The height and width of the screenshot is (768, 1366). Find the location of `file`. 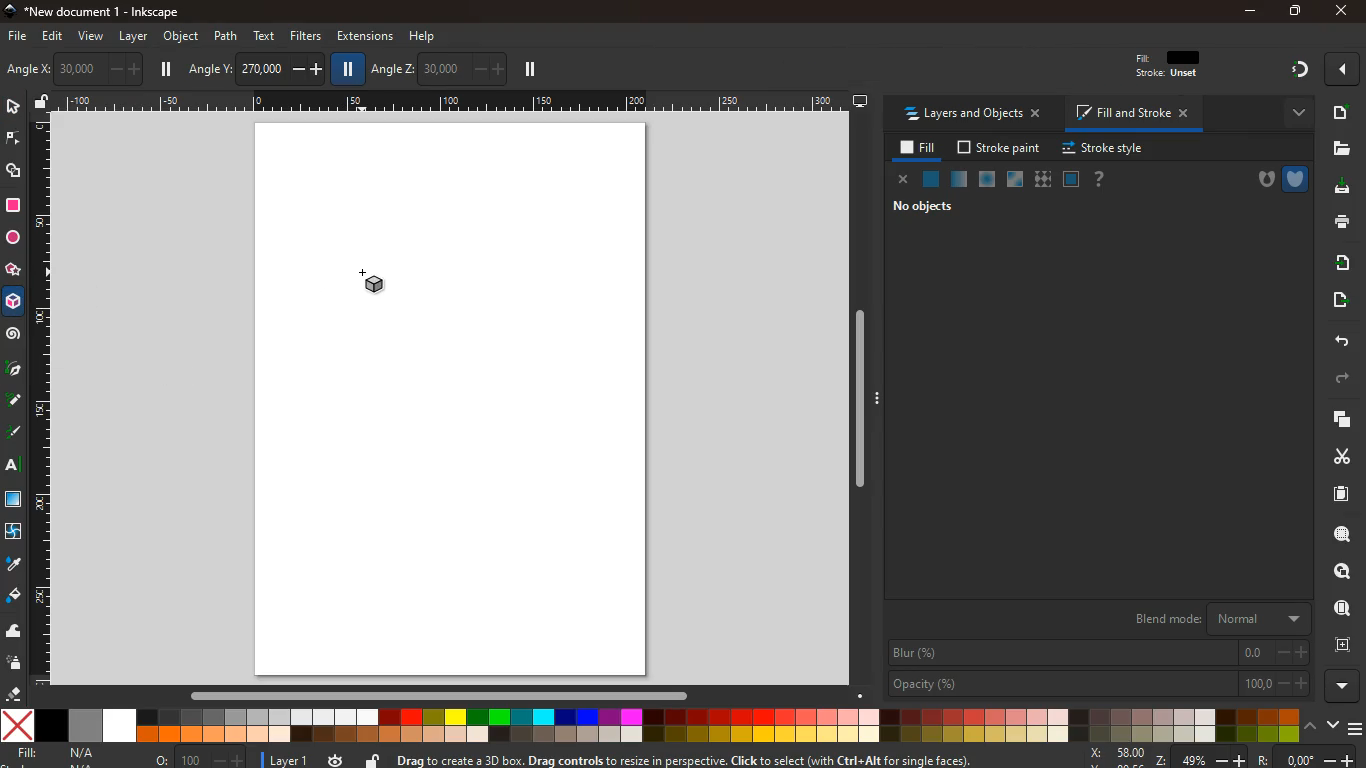

file is located at coordinates (1342, 148).